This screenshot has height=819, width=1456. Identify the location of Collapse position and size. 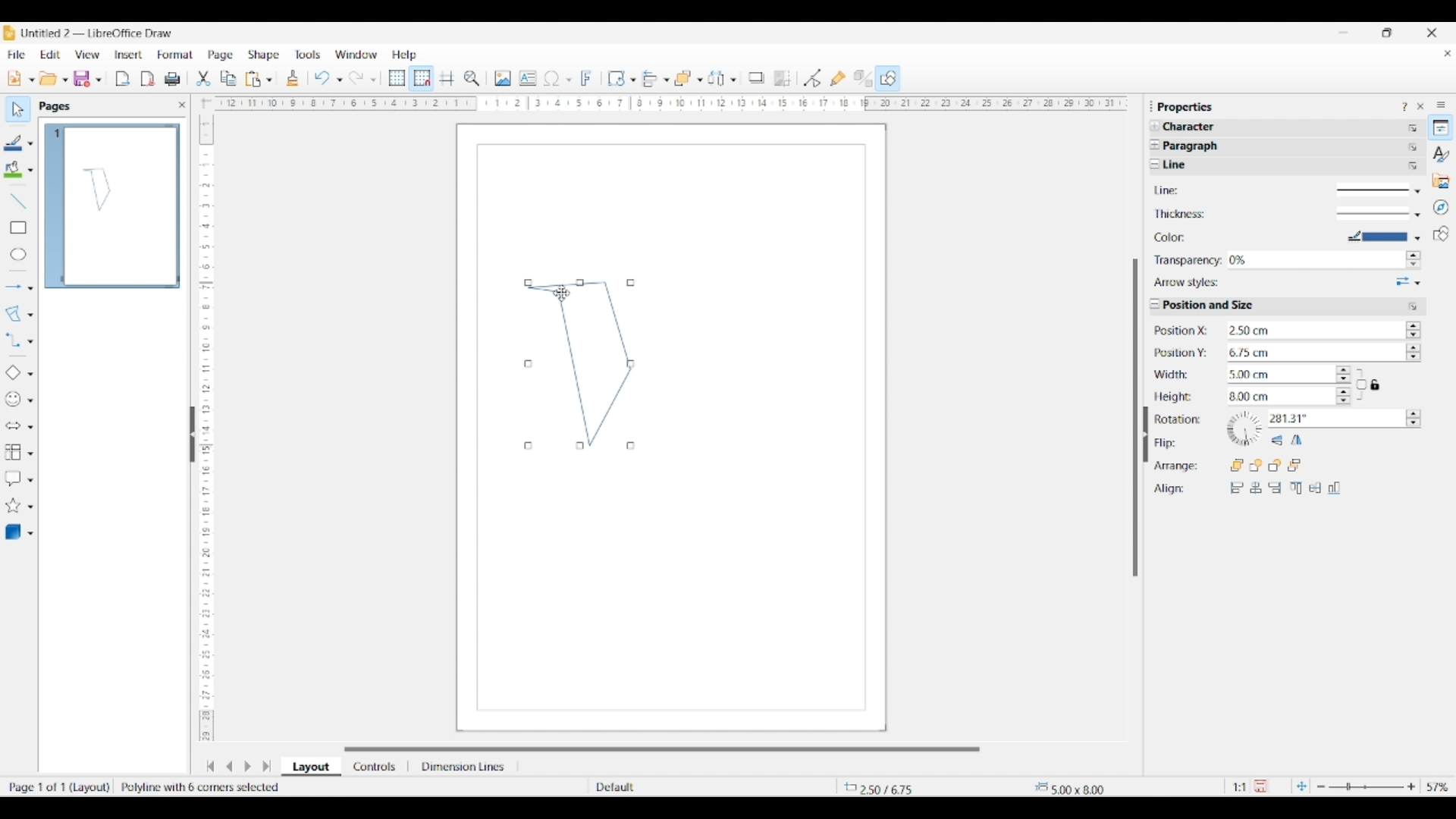
(1155, 303).